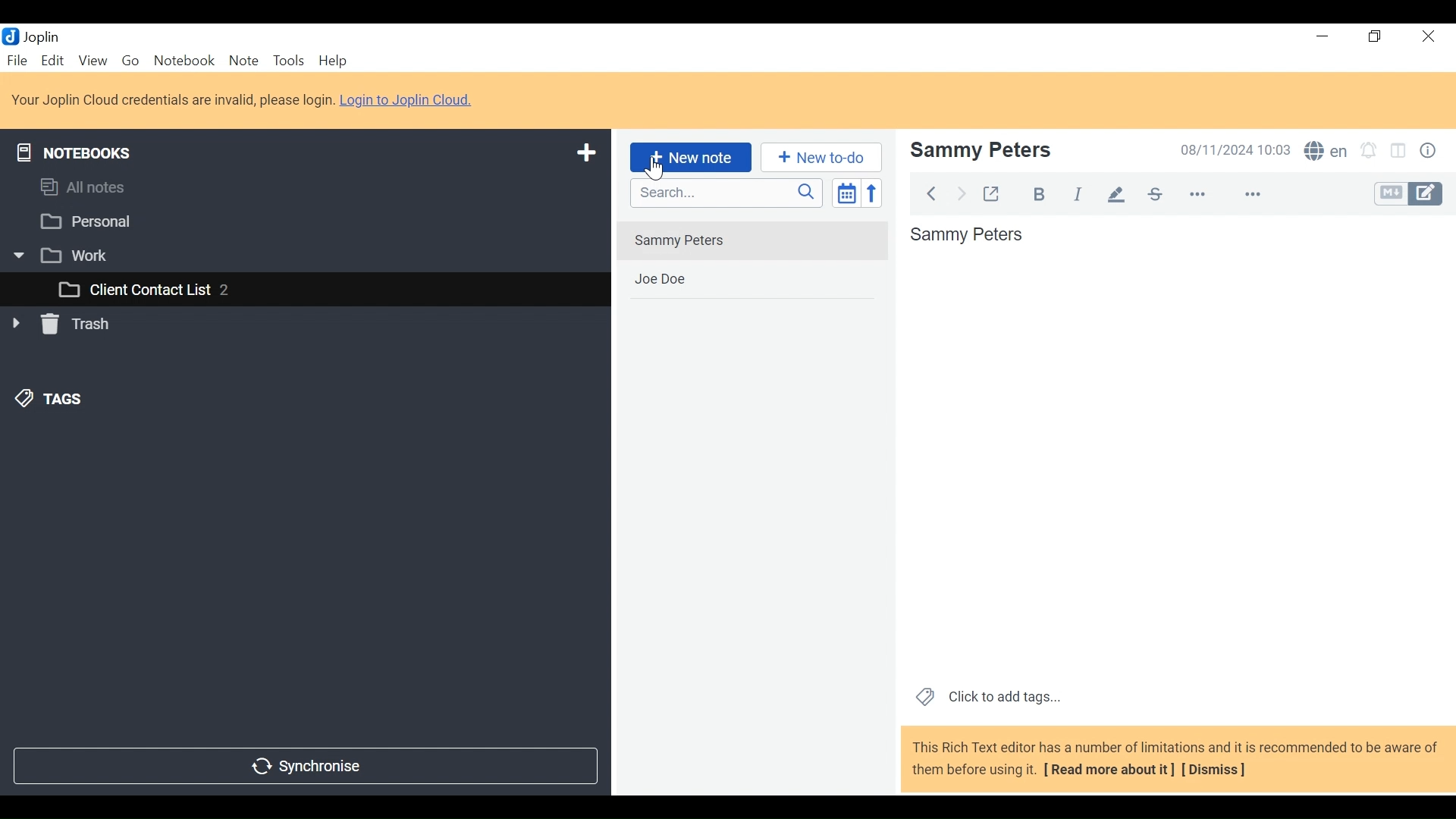 Image resolution: width=1456 pixels, height=819 pixels. What do you see at coordinates (994, 194) in the screenshot?
I see `Toggle external editing` at bounding box center [994, 194].